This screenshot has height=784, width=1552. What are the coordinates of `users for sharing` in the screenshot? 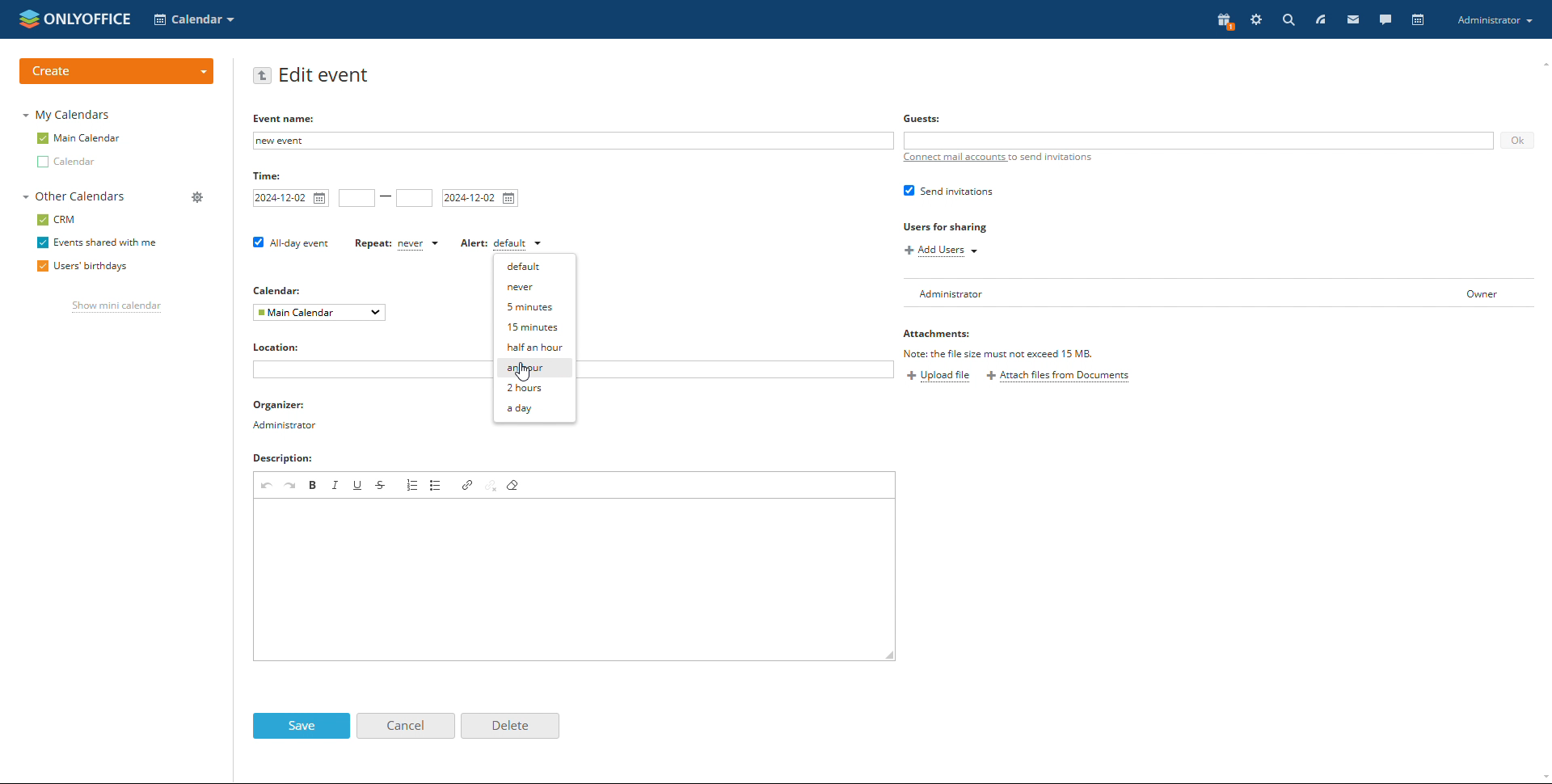 It's located at (951, 228).